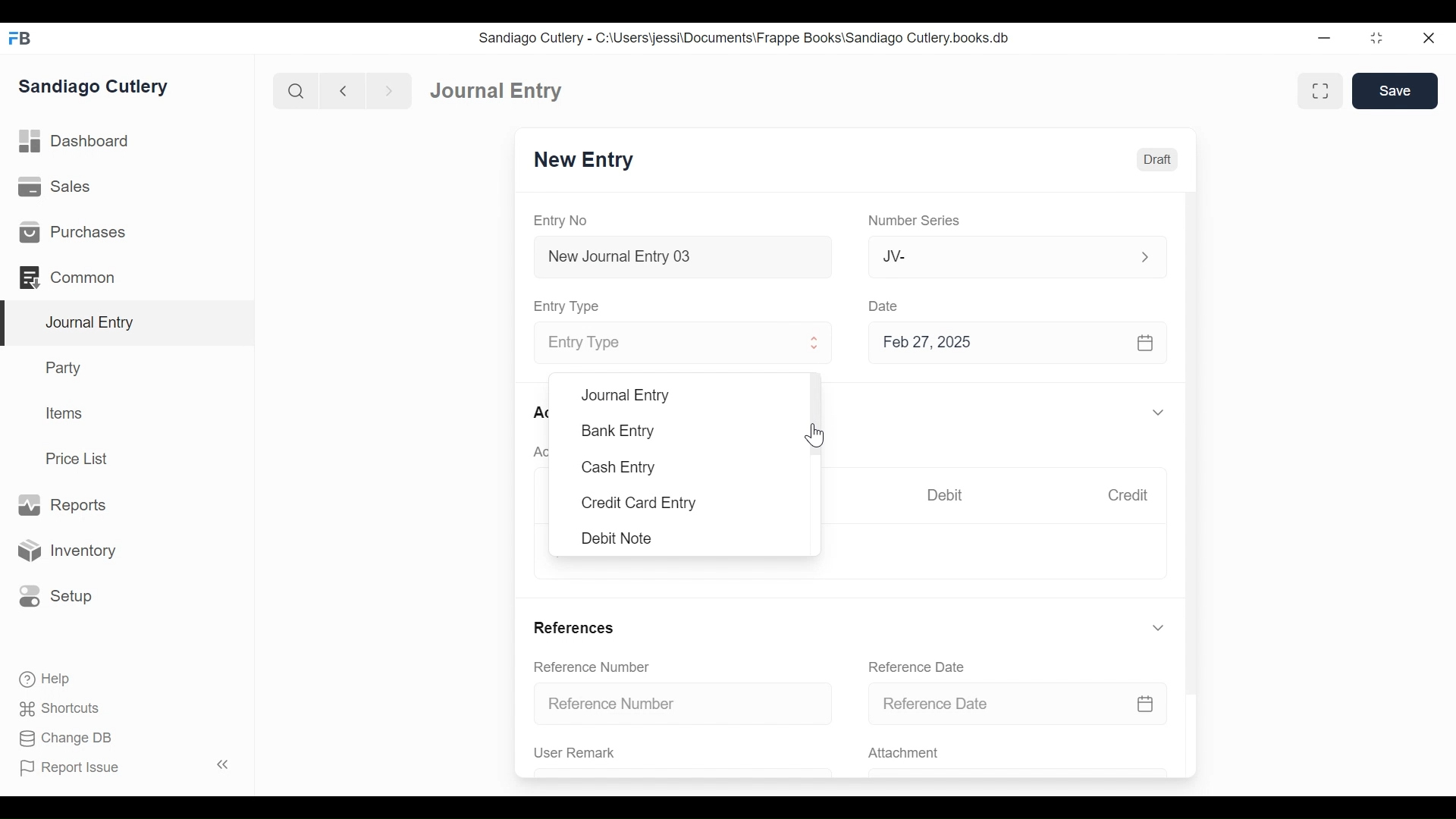 The image size is (1456, 819). Describe the element at coordinates (64, 739) in the screenshot. I see `Change DB` at that location.